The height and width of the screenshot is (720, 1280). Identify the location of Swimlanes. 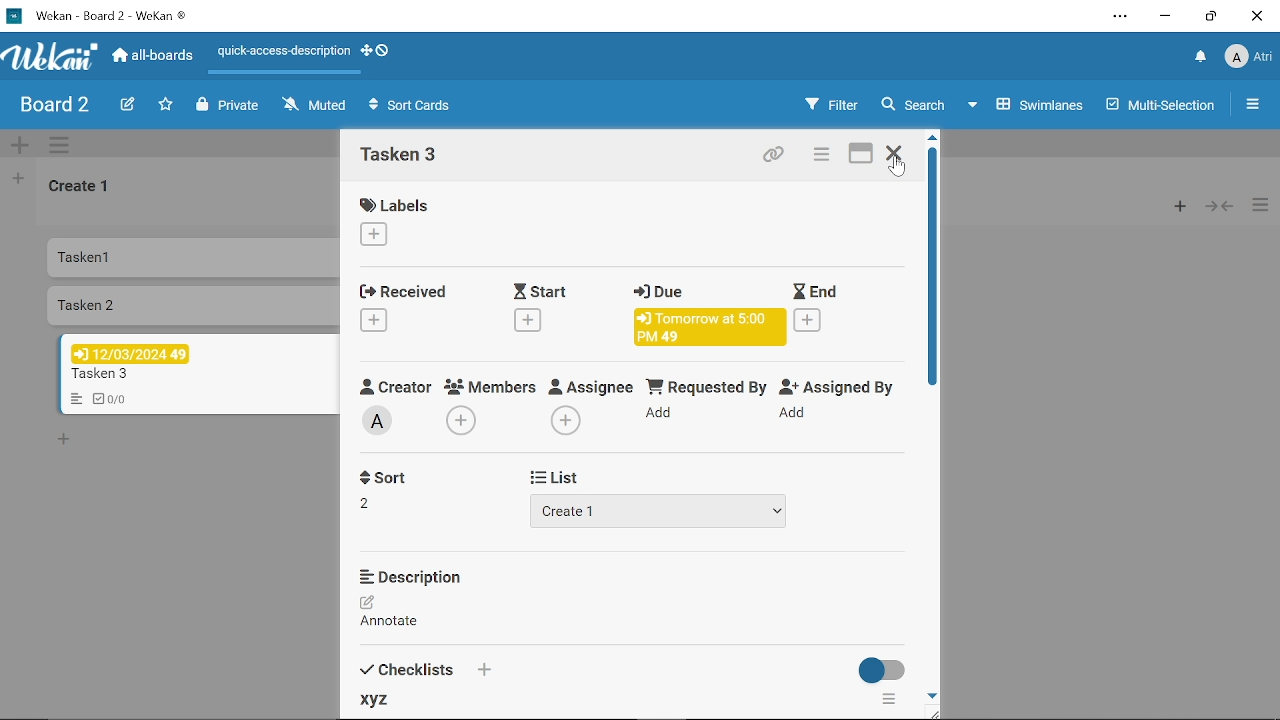
(1040, 105).